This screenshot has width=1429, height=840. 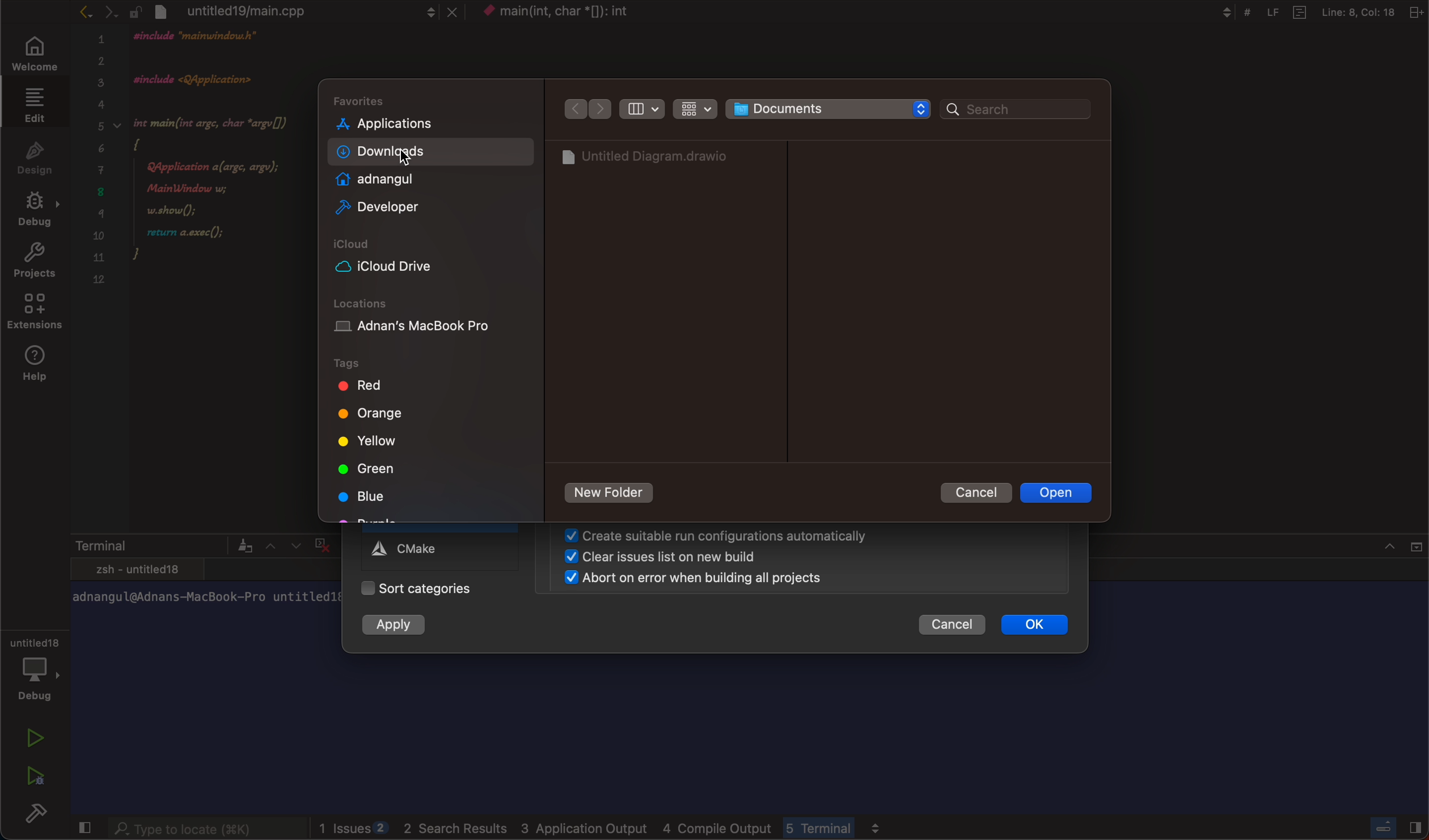 I want to click on build, so click(x=33, y=814).